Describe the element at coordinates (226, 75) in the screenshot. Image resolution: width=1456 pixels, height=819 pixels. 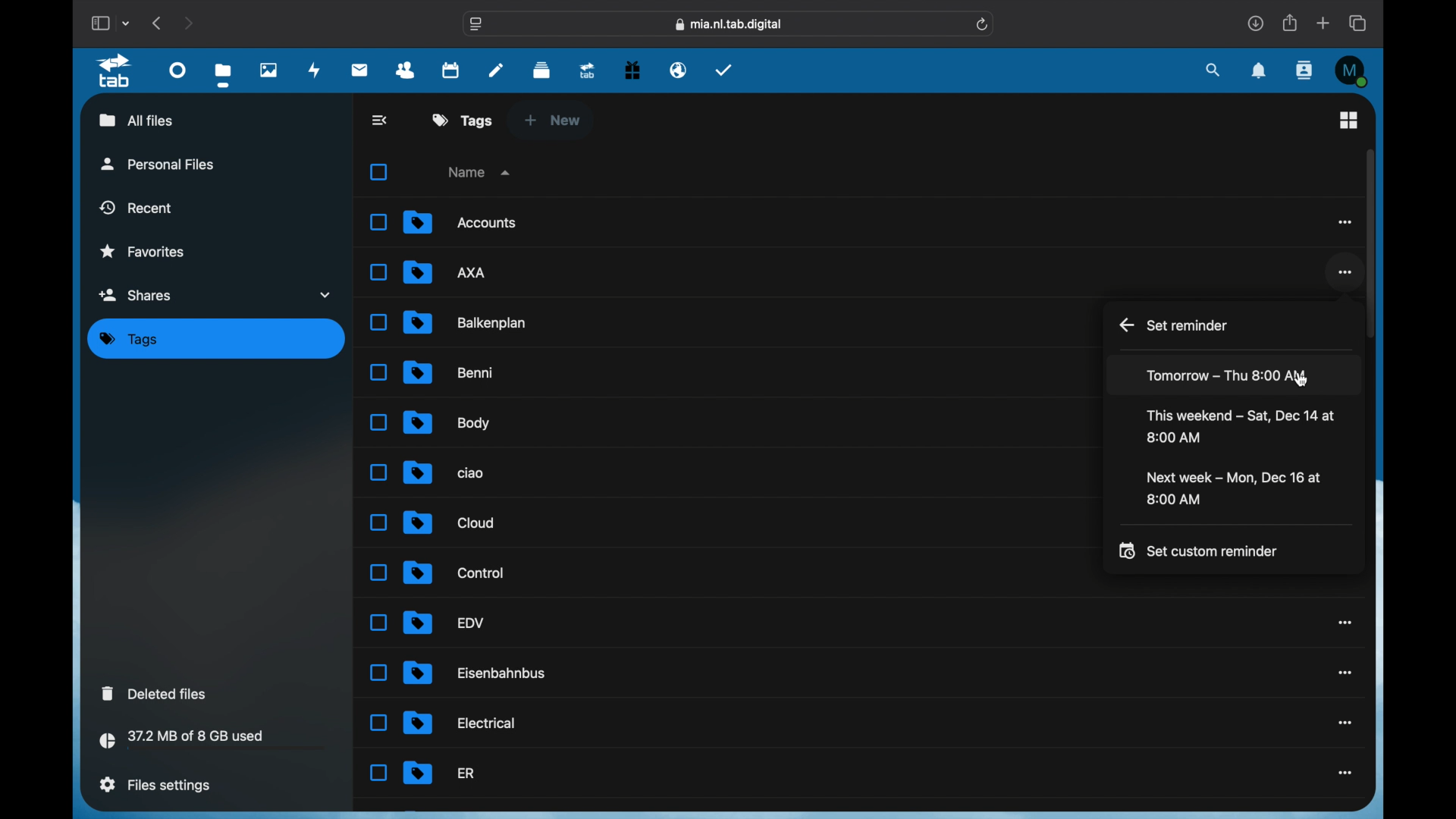
I see `files` at that location.